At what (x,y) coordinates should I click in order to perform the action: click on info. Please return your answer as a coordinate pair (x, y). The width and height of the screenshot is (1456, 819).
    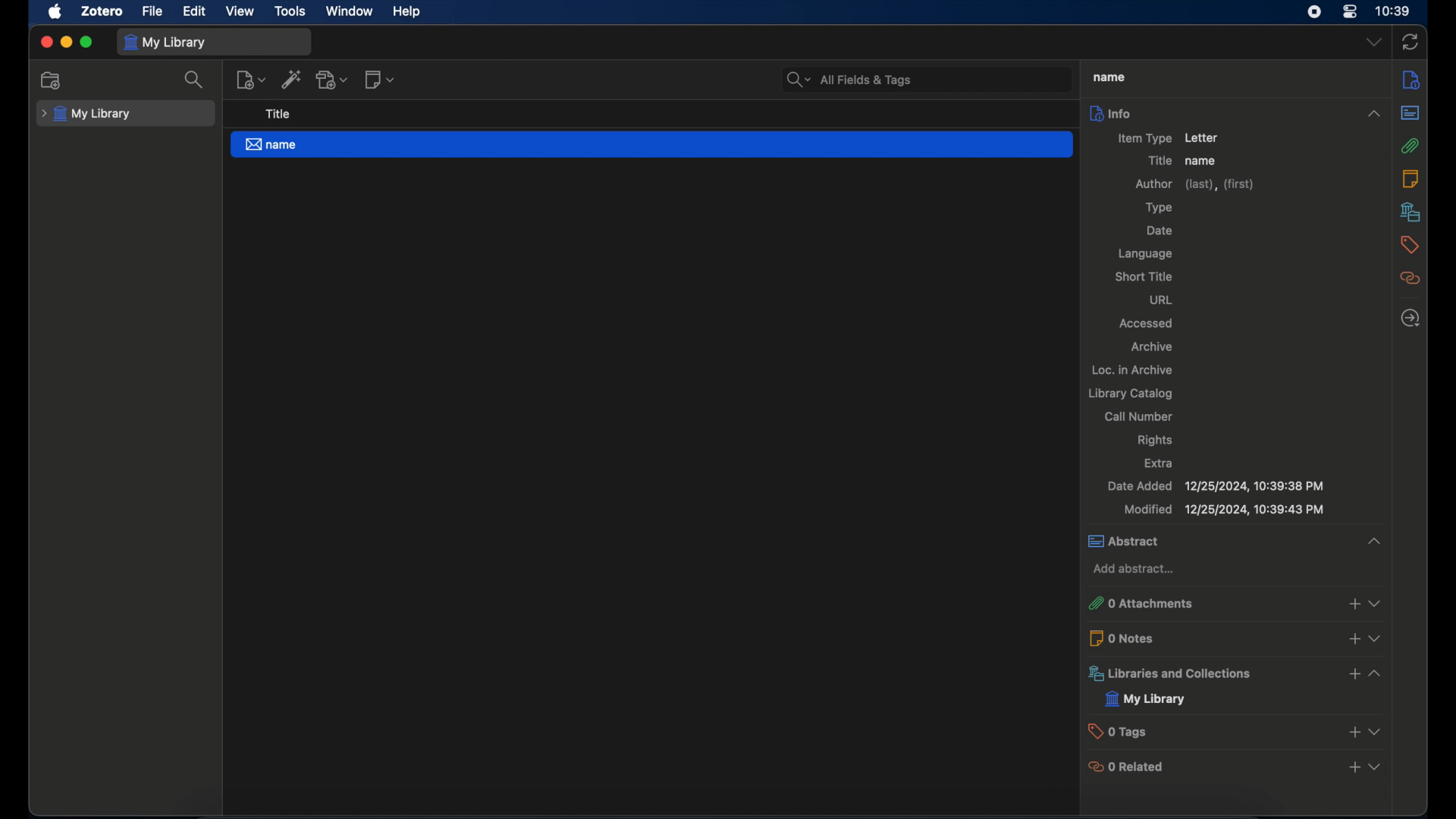
    Looking at the image, I should click on (1237, 113).